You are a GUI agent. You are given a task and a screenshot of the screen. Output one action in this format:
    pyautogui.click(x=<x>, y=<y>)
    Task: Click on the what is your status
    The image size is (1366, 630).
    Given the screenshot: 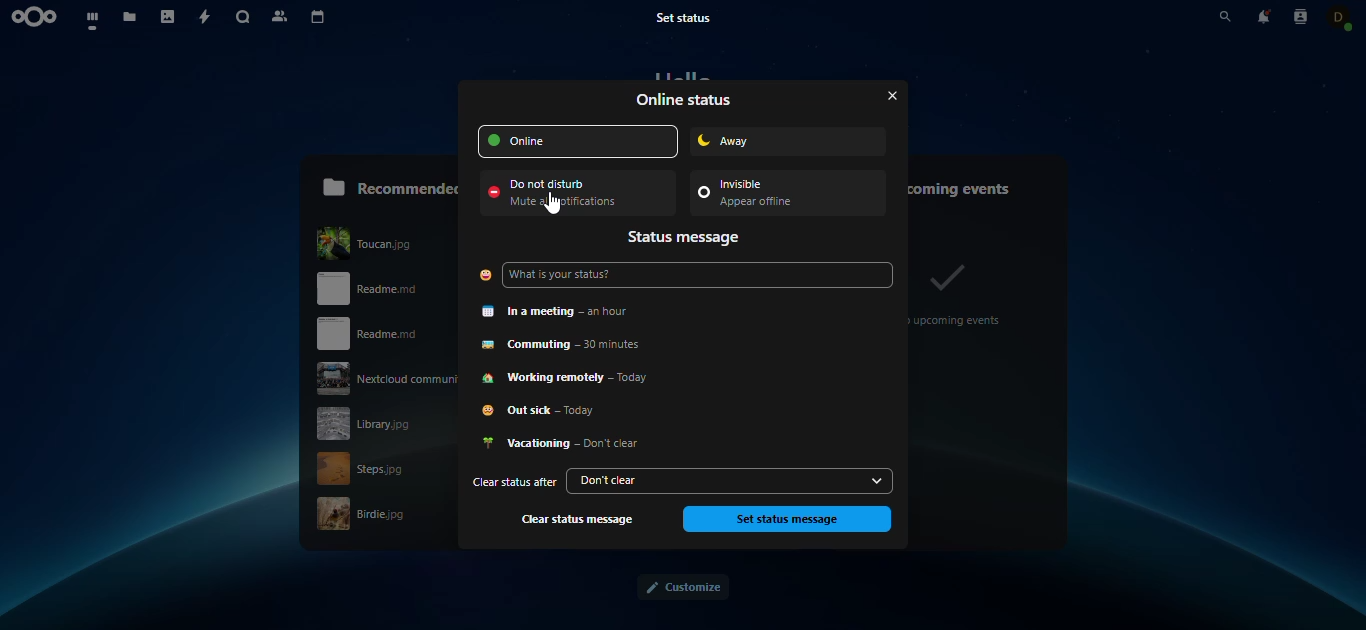 What is the action you would take?
    pyautogui.click(x=574, y=277)
    